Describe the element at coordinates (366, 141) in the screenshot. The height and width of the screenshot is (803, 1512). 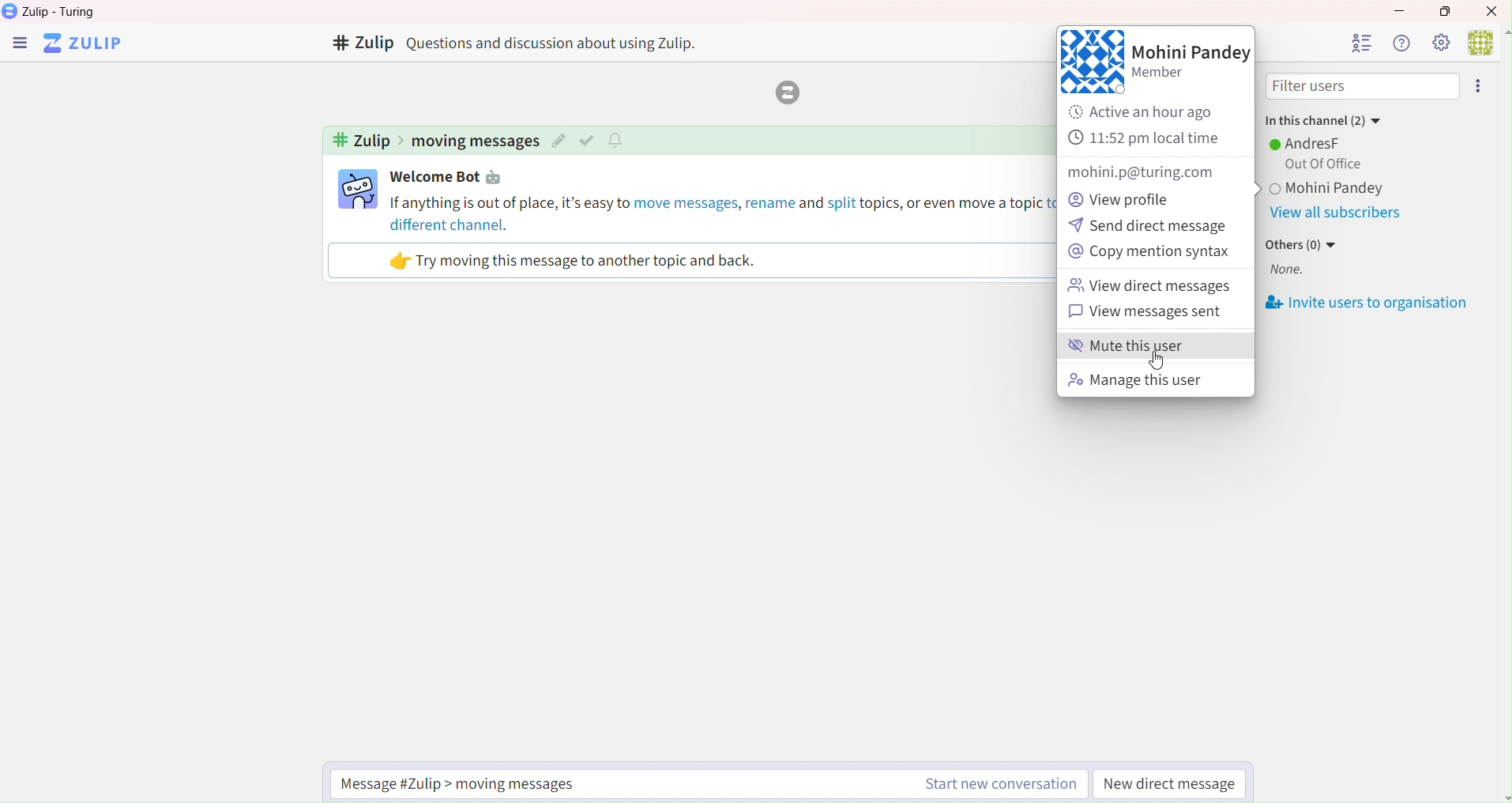
I see `# Zulip >` at that location.